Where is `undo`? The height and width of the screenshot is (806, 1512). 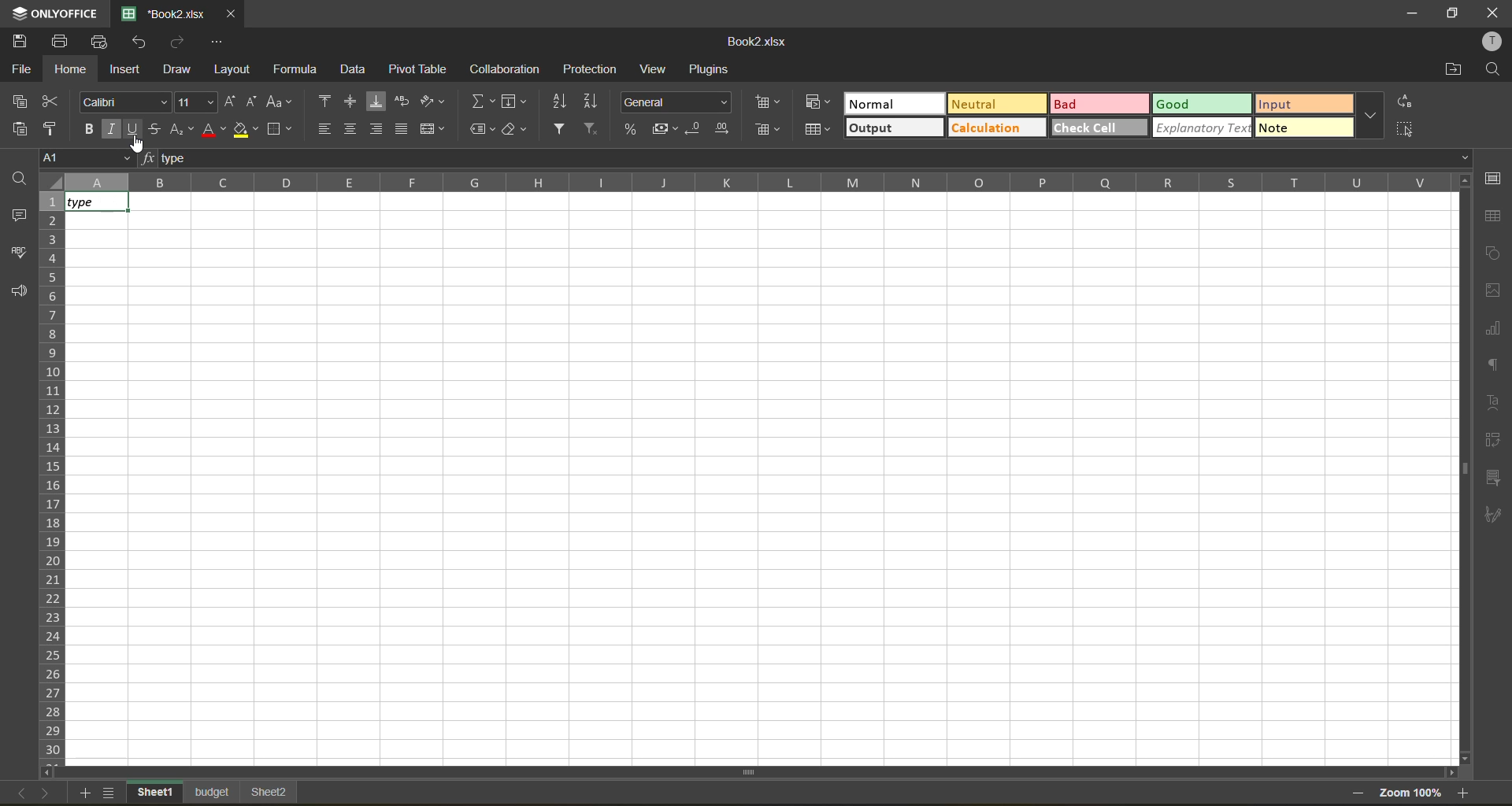
undo is located at coordinates (143, 43).